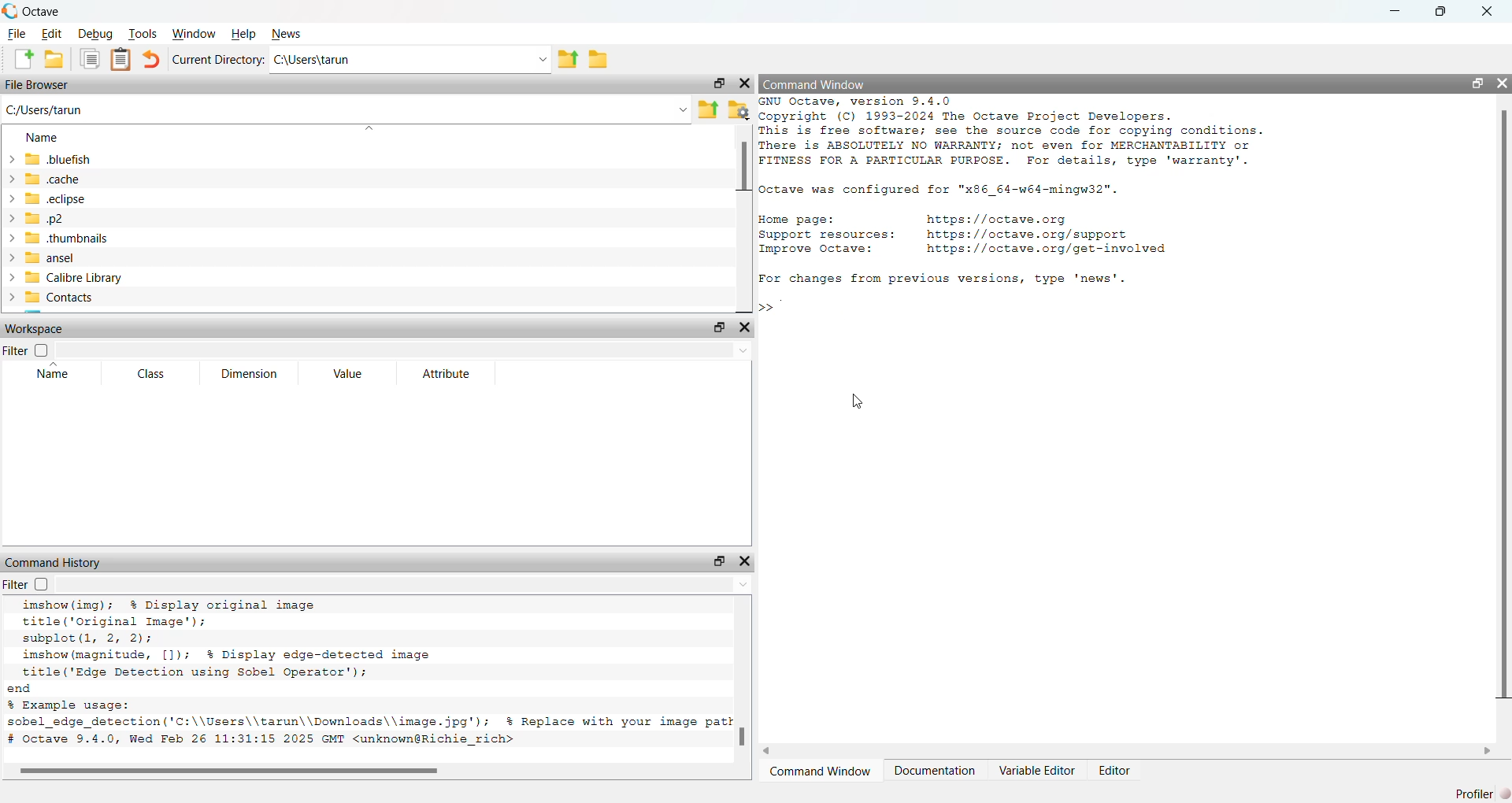 The height and width of the screenshot is (803, 1512). What do you see at coordinates (721, 561) in the screenshot?
I see `restore down` at bounding box center [721, 561].